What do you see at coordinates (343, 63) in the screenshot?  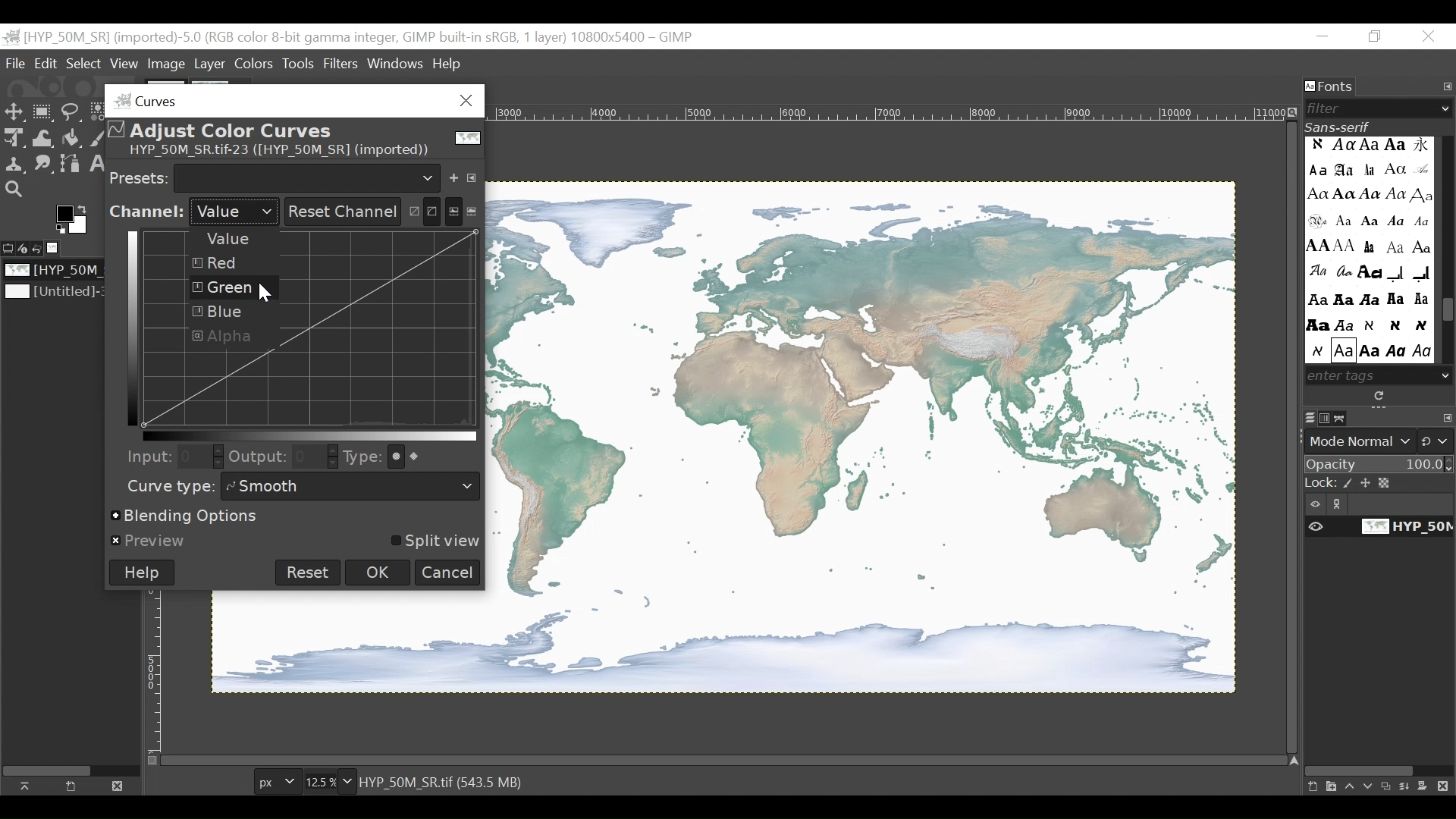 I see `Filters` at bounding box center [343, 63].